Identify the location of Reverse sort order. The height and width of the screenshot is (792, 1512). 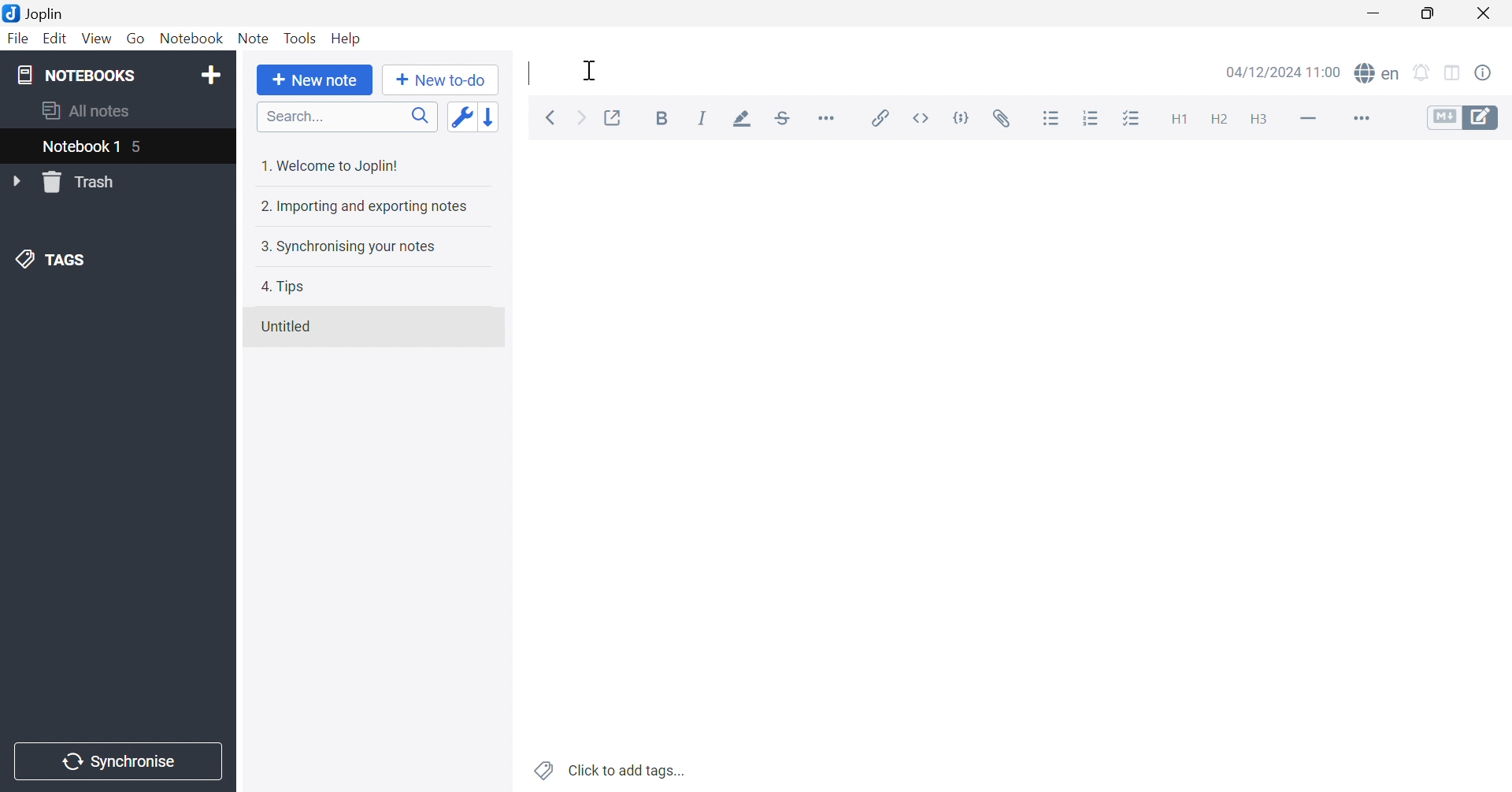
(497, 117).